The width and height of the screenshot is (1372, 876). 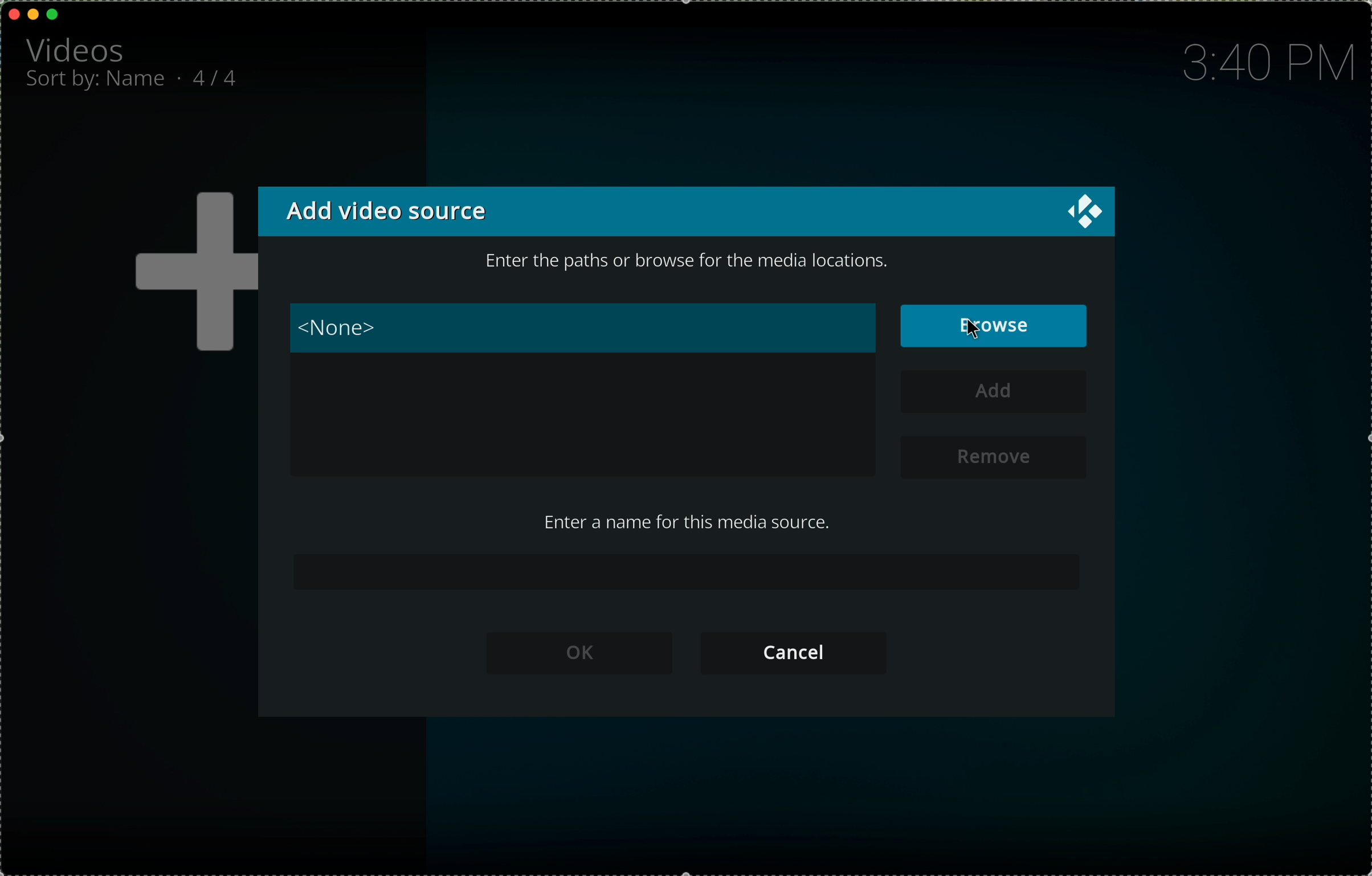 I want to click on add video source, so click(x=383, y=212).